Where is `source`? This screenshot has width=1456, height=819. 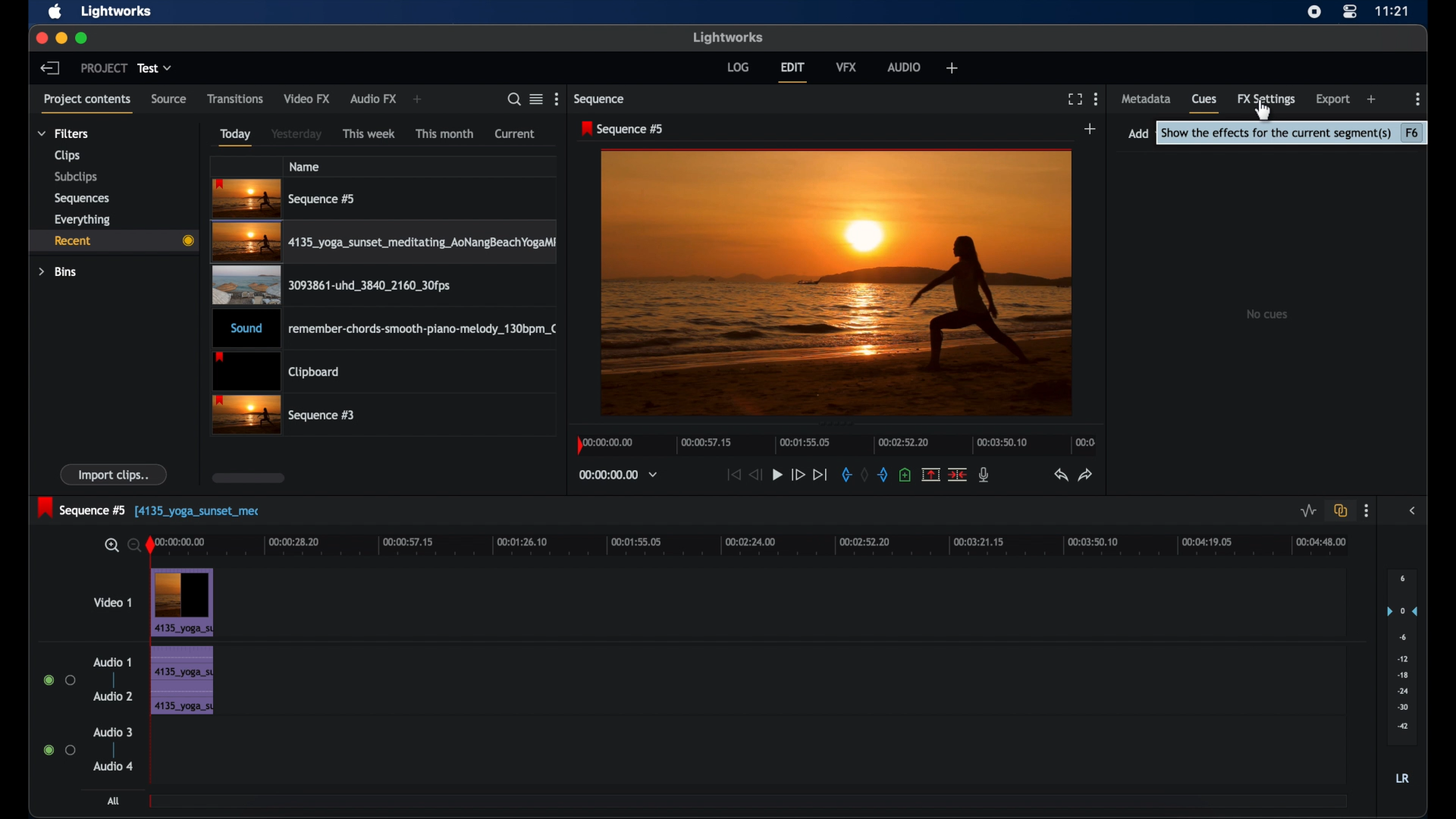 source is located at coordinates (168, 99).